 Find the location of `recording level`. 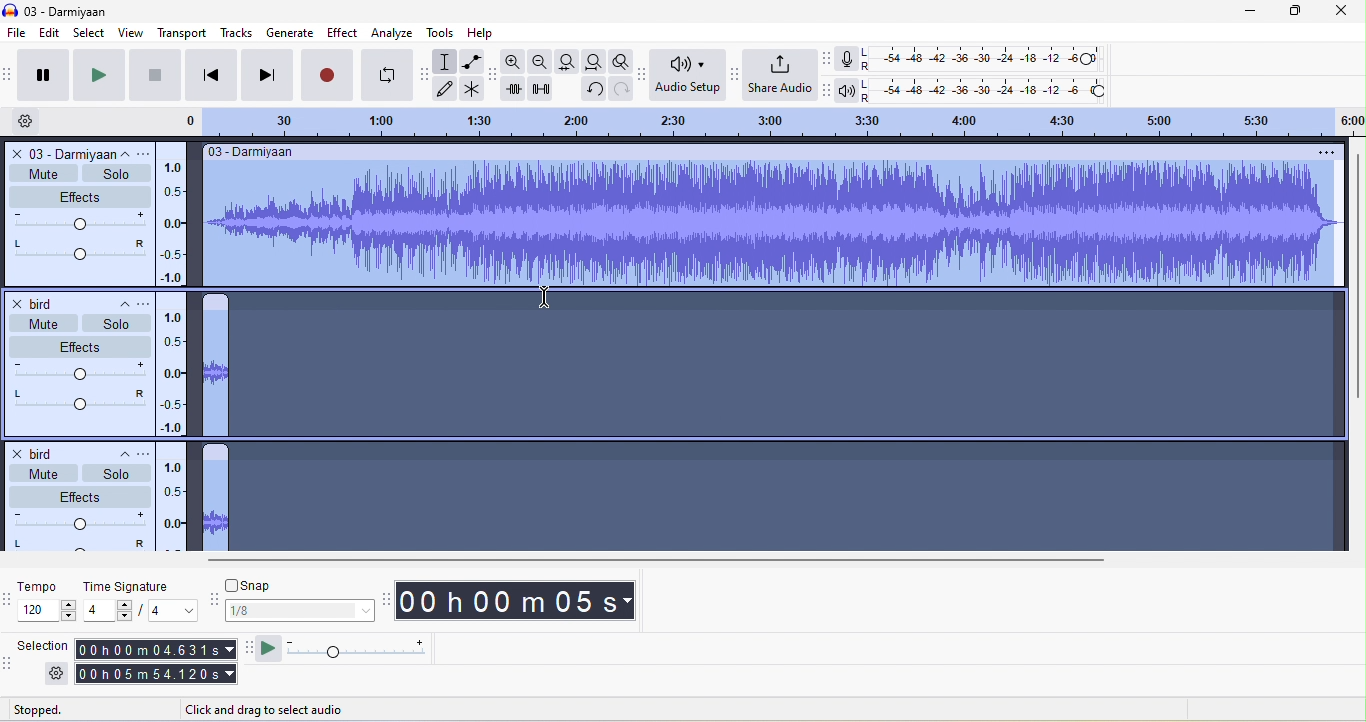

recording level is located at coordinates (985, 59).